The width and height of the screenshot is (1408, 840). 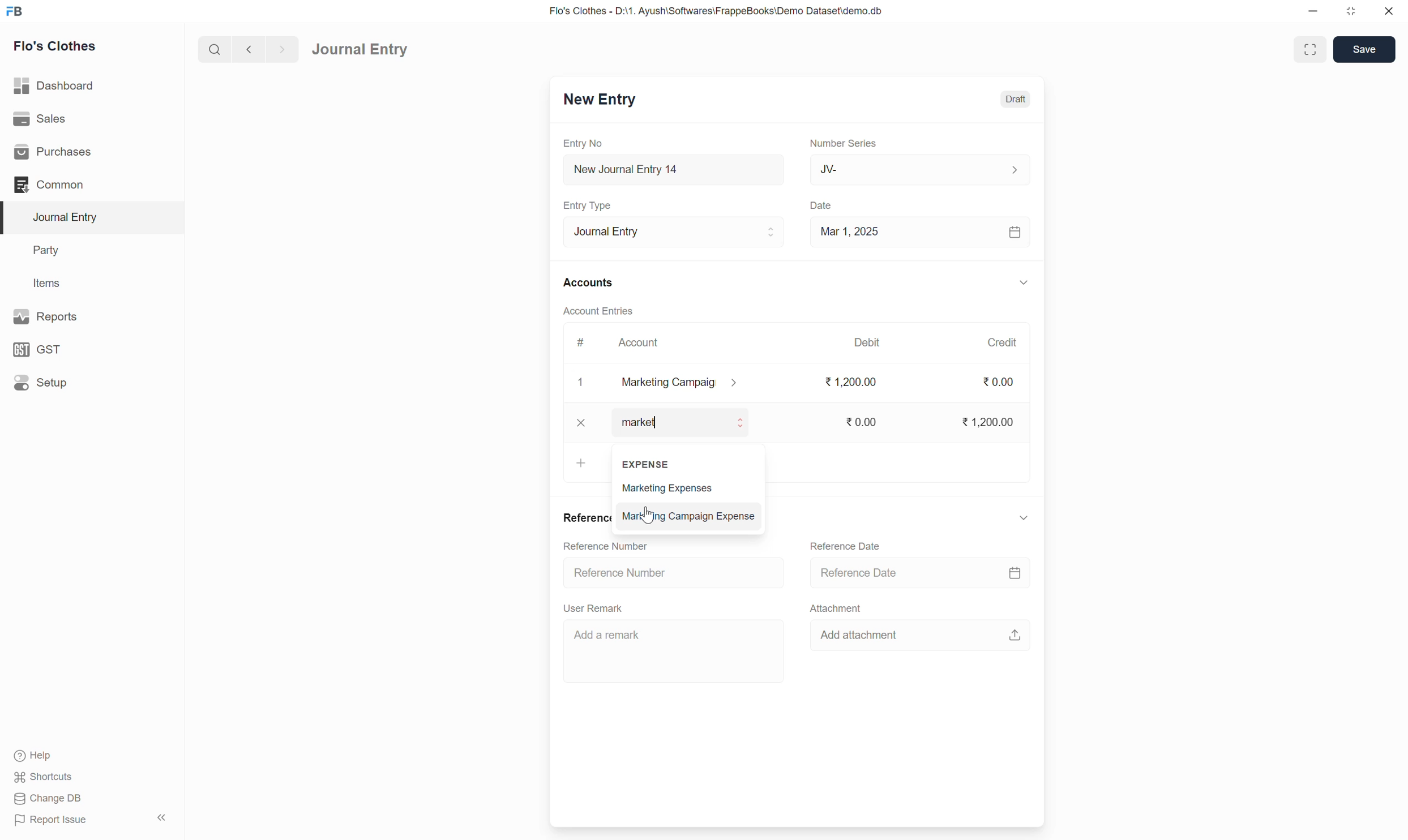 What do you see at coordinates (999, 382) in the screenshot?
I see `0.00` at bounding box center [999, 382].